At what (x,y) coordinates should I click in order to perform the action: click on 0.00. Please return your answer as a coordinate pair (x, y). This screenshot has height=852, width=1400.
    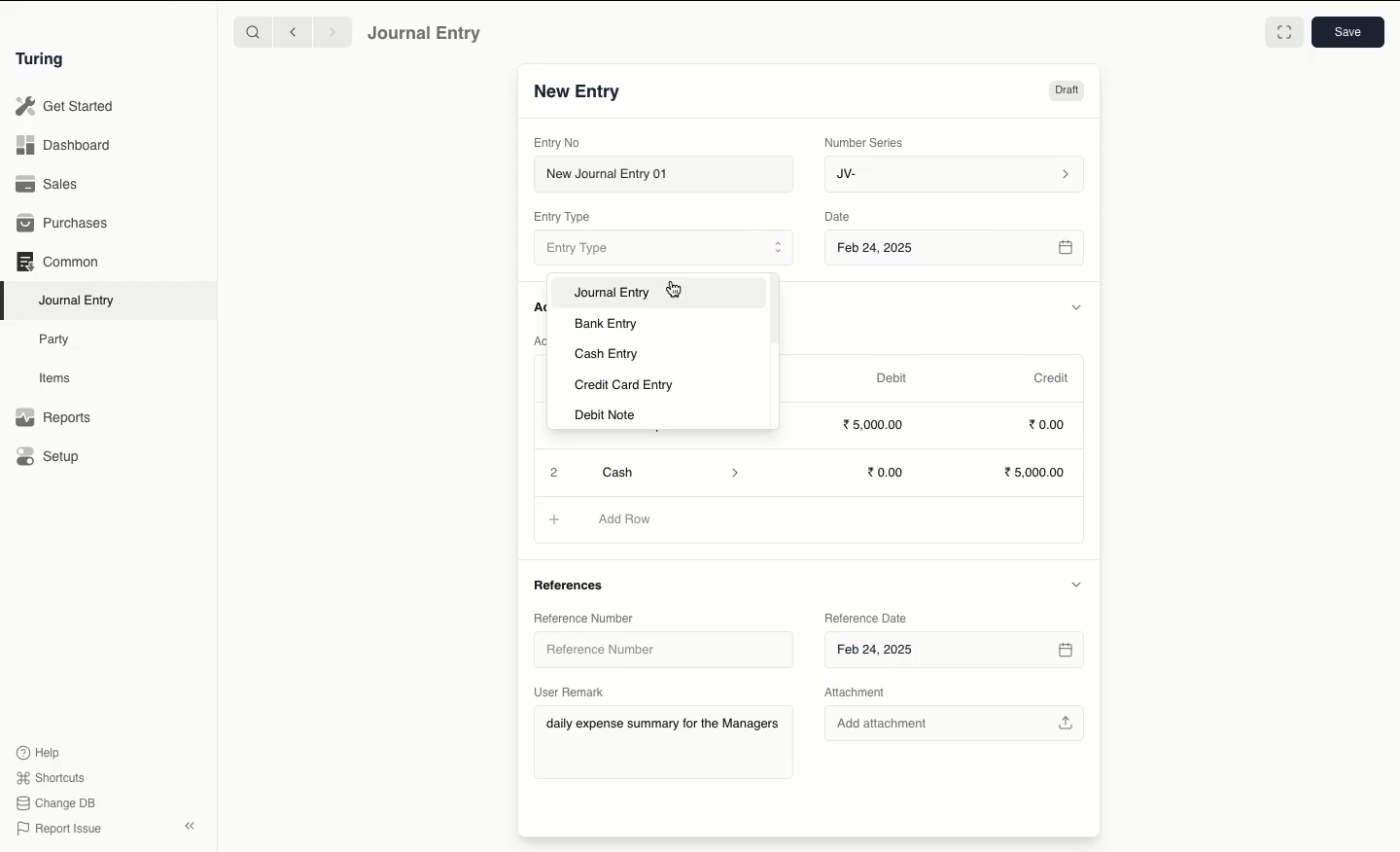
    Looking at the image, I should click on (1048, 423).